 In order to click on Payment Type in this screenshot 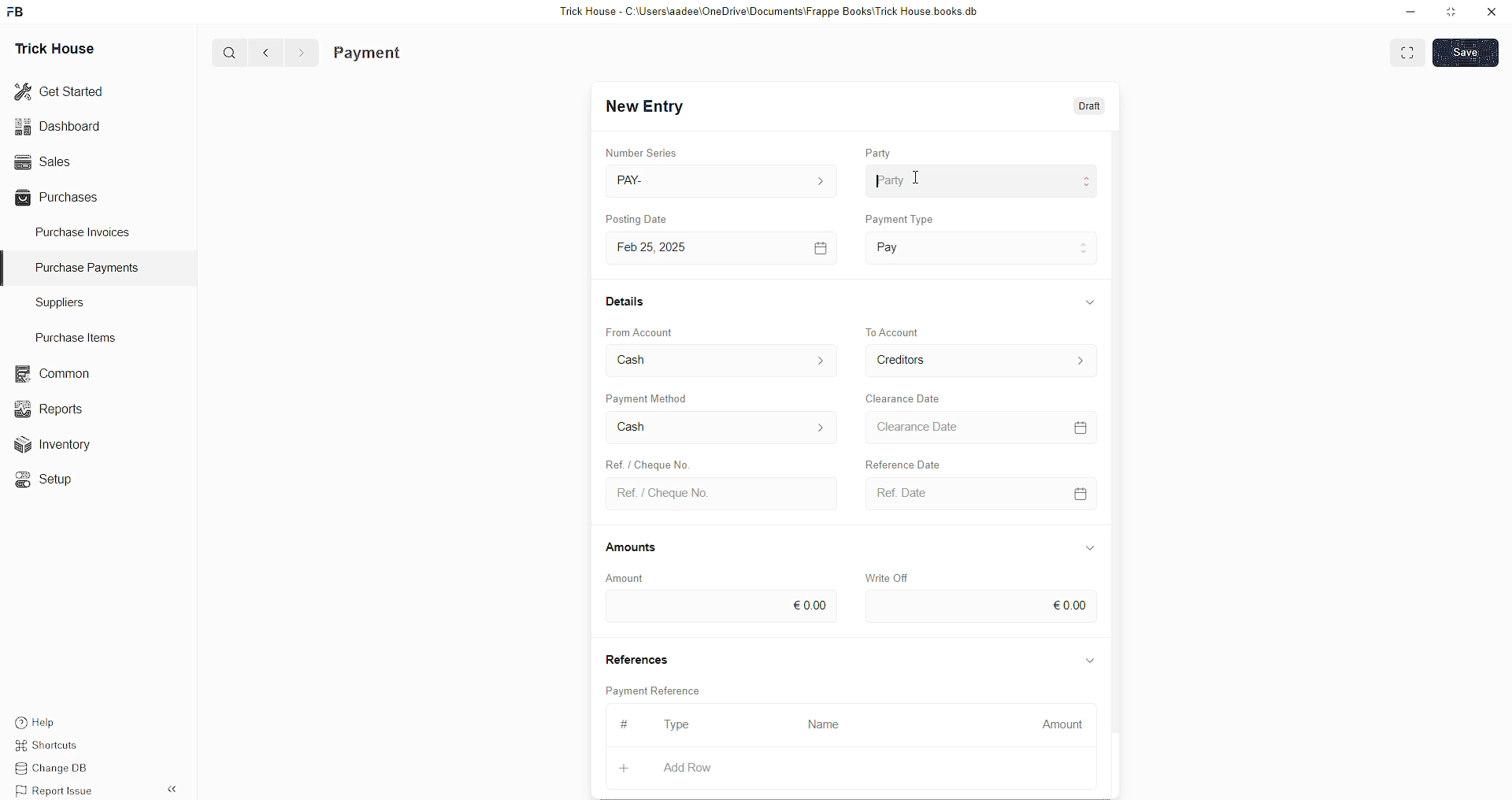, I will do `click(905, 216)`.